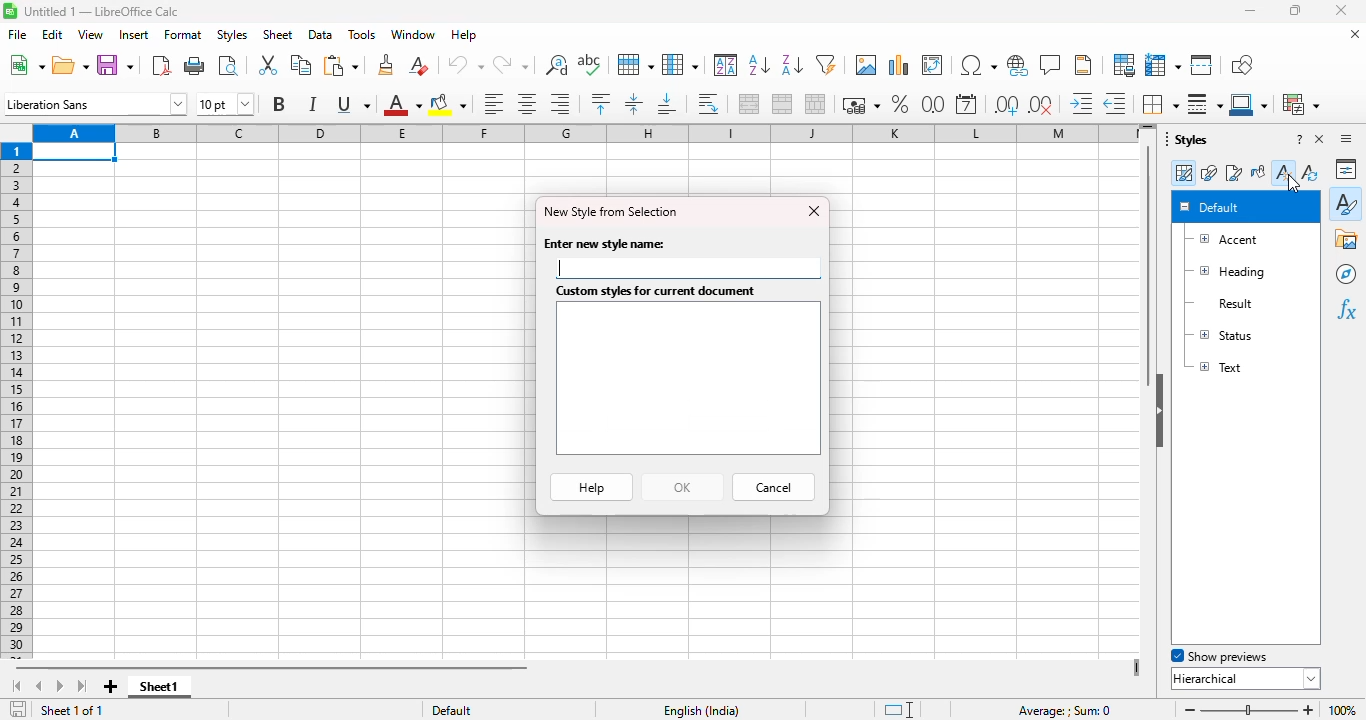 The height and width of the screenshot is (720, 1366). What do you see at coordinates (559, 103) in the screenshot?
I see `align right` at bounding box center [559, 103].